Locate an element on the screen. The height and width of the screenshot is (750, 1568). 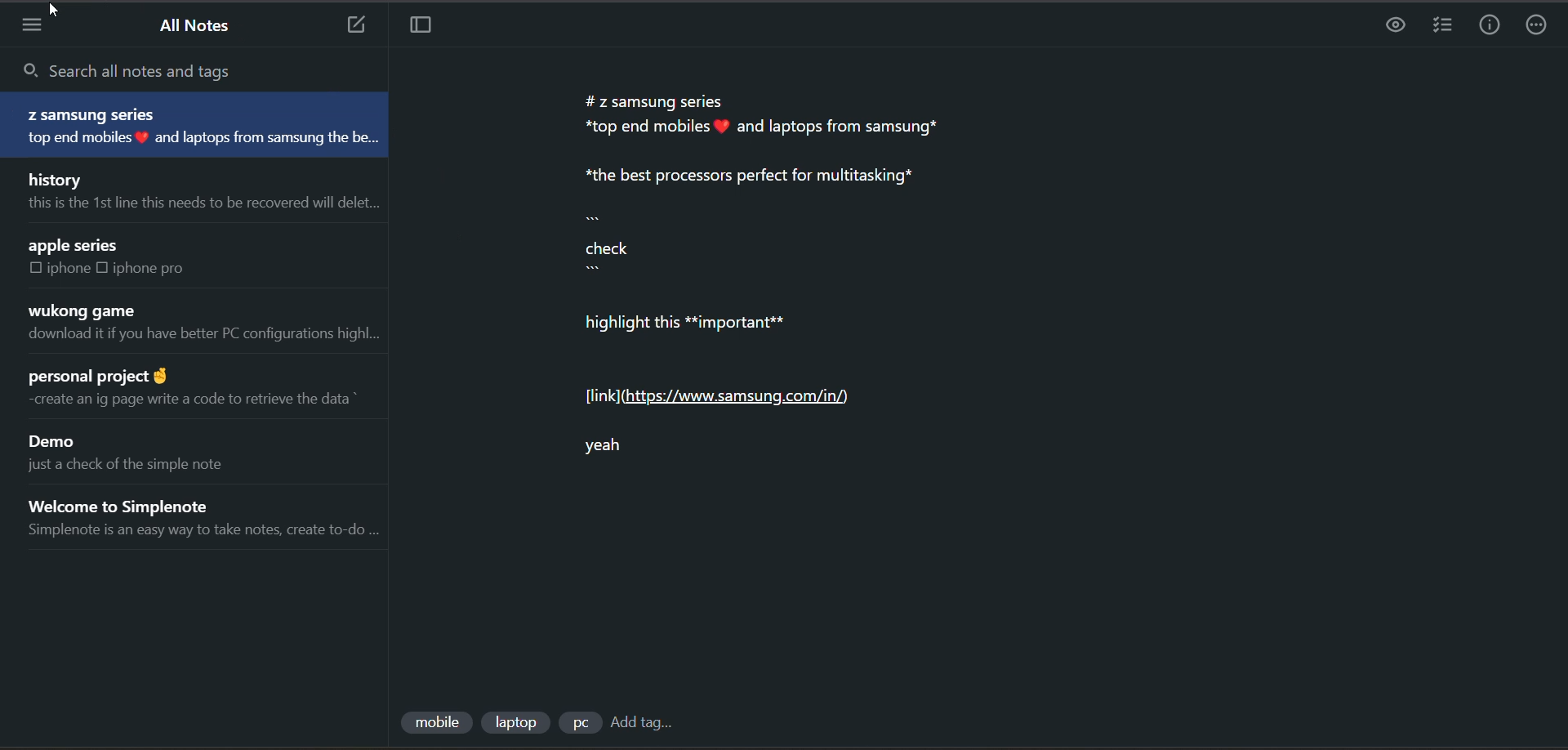
tag 3 is located at coordinates (579, 724).